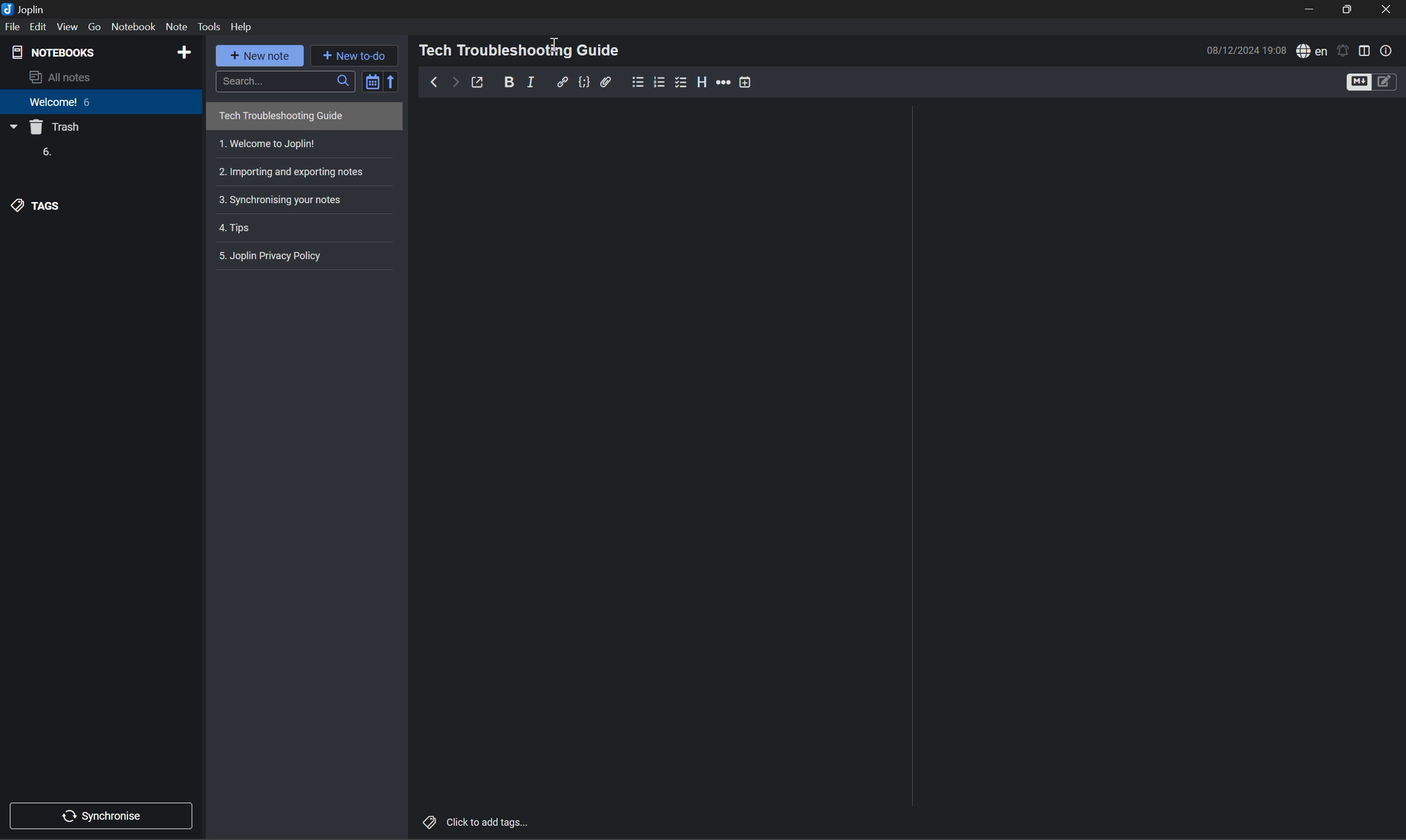 This screenshot has height=840, width=1406. Describe the element at coordinates (69, 26) in the screenshot. I see `View` at that location.